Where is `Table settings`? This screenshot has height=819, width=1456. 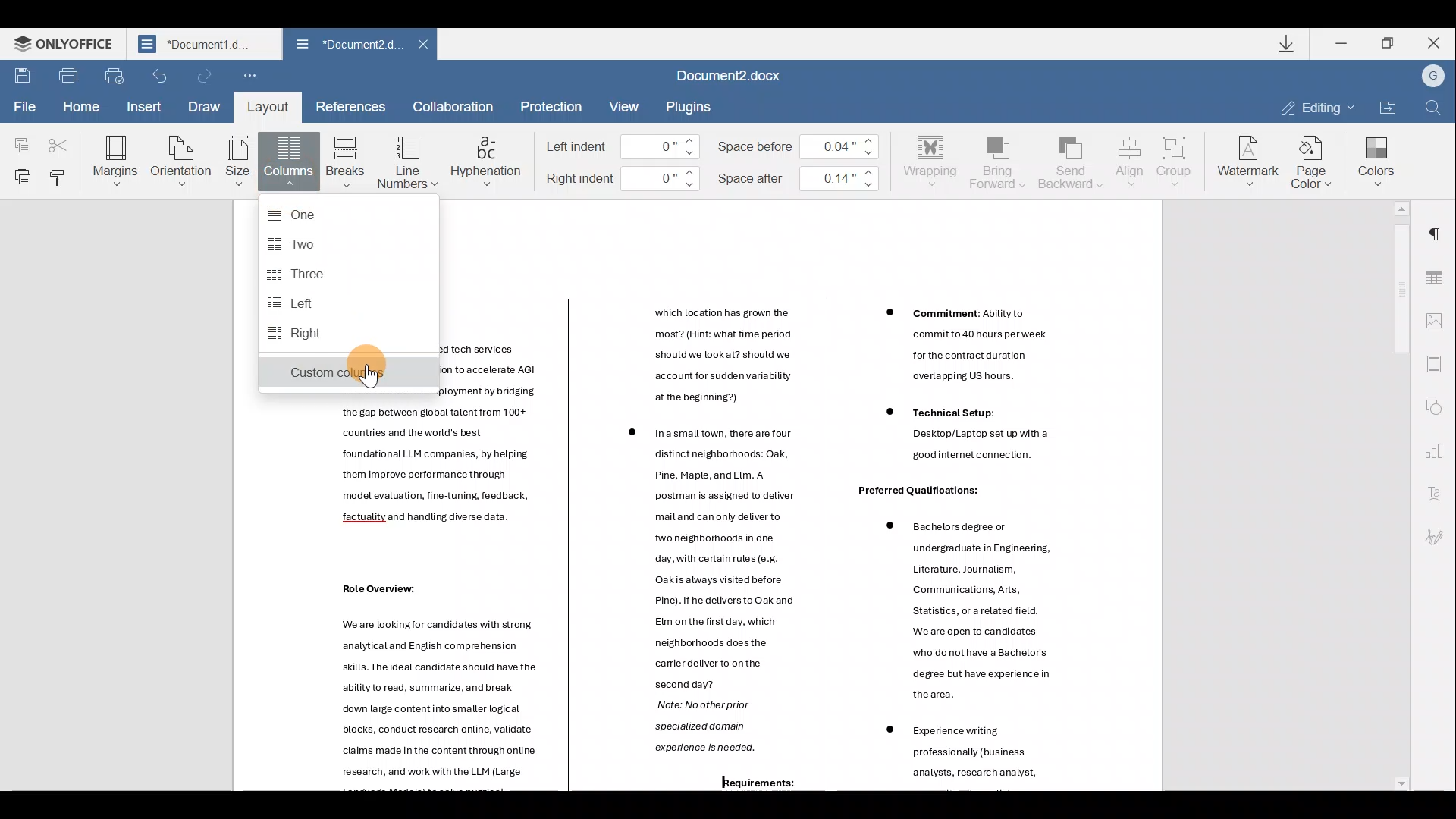
Table settings is located at coordinates (1439, 272).